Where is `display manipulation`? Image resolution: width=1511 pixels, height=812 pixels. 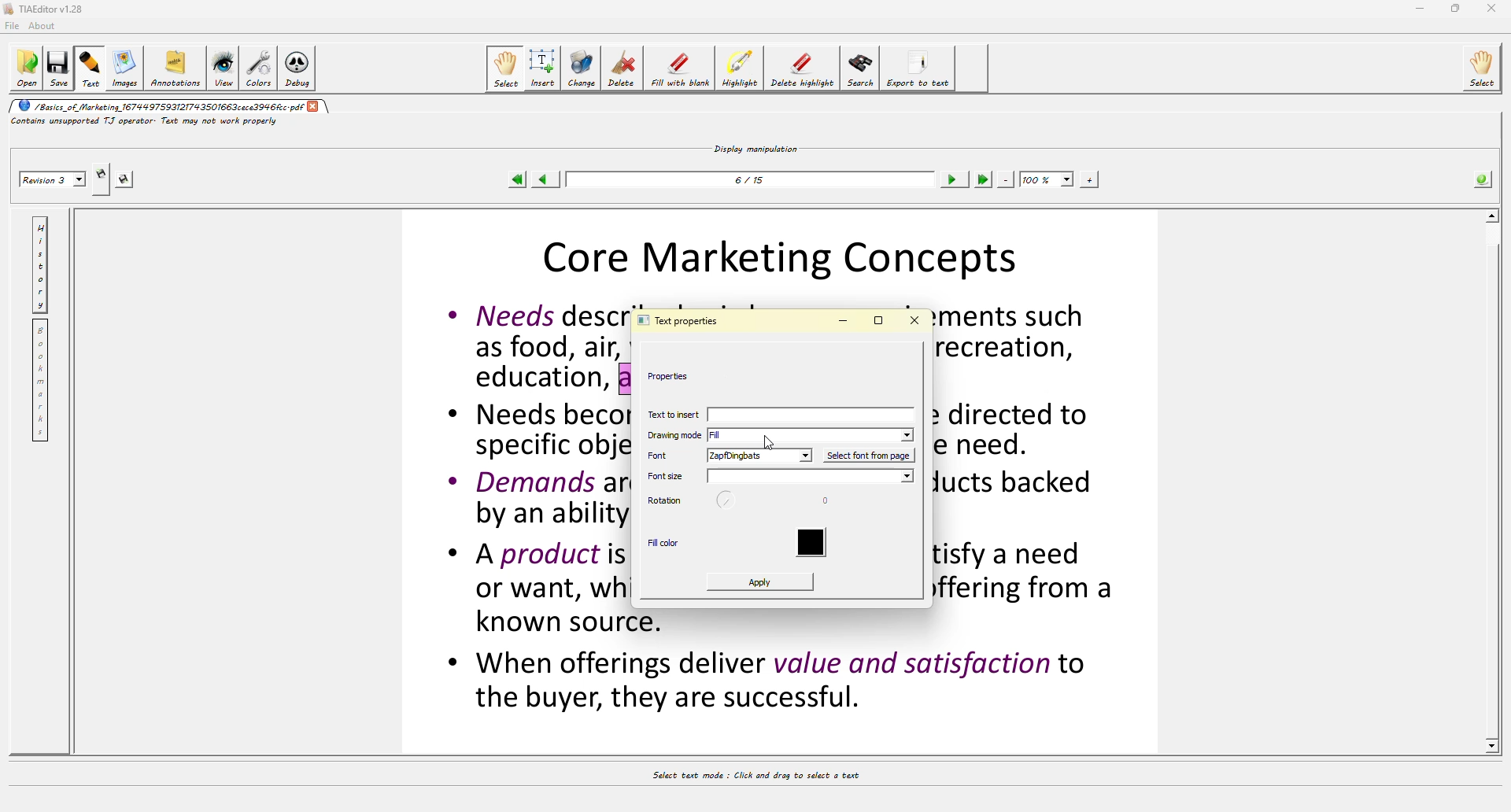 display manipulation is located at coordinates (757, 146).